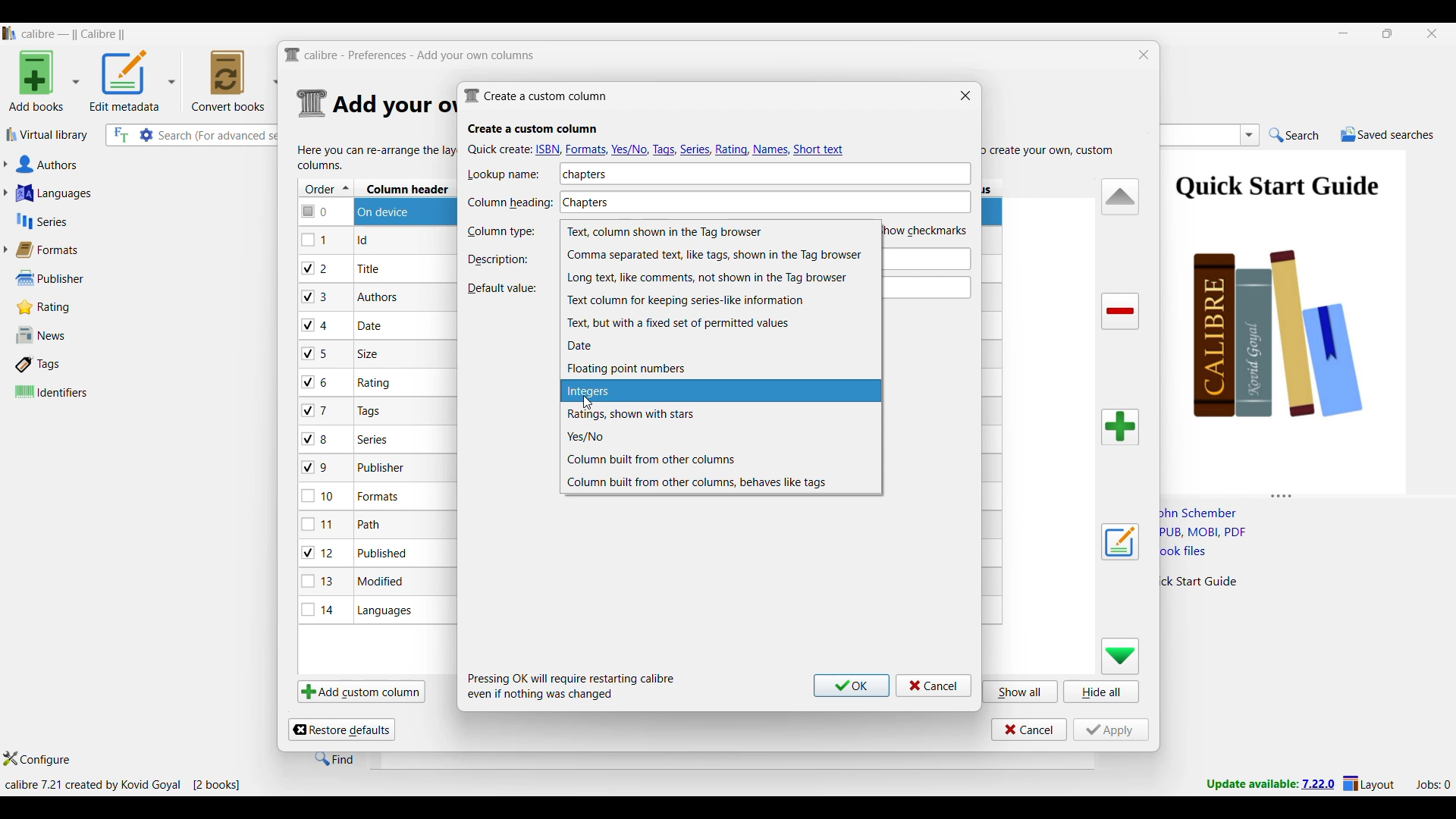 This screenshot has width=1456, height=819. Describe the element at coordinates (318, 581) in the screenshot. I see `checkbox - 13` at that location.